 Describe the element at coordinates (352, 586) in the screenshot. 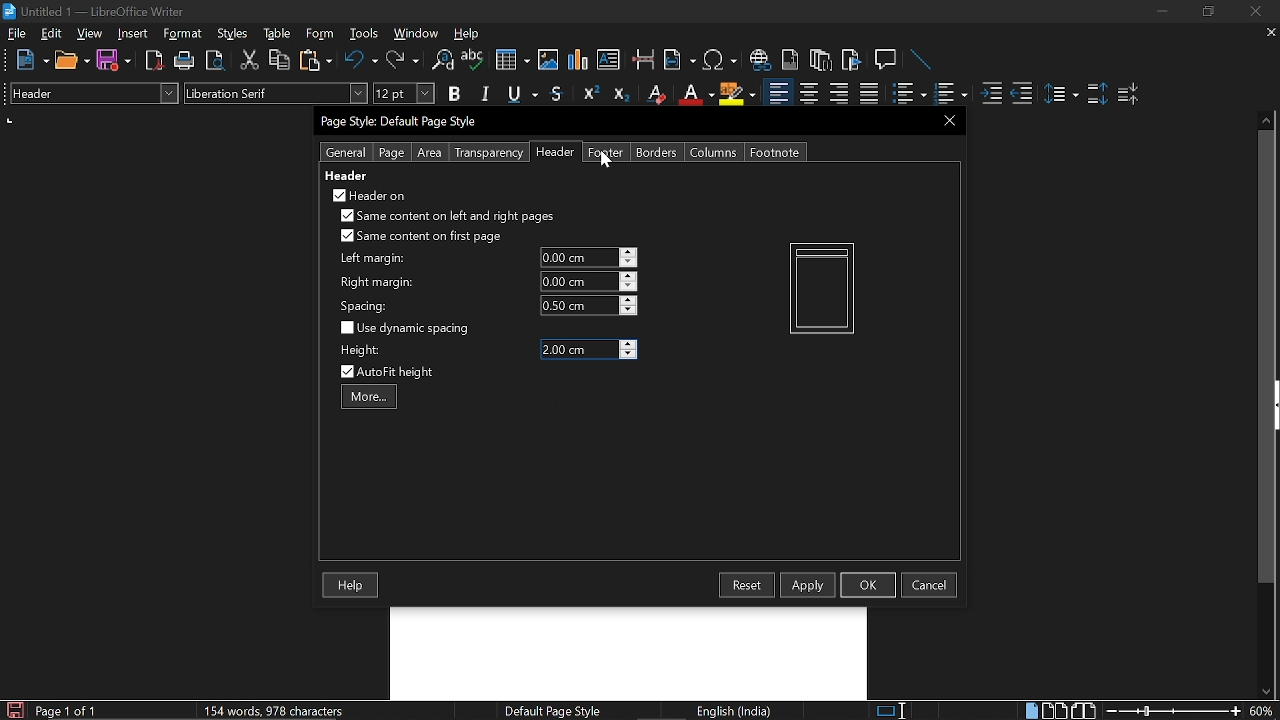

I see `Help` at that location.